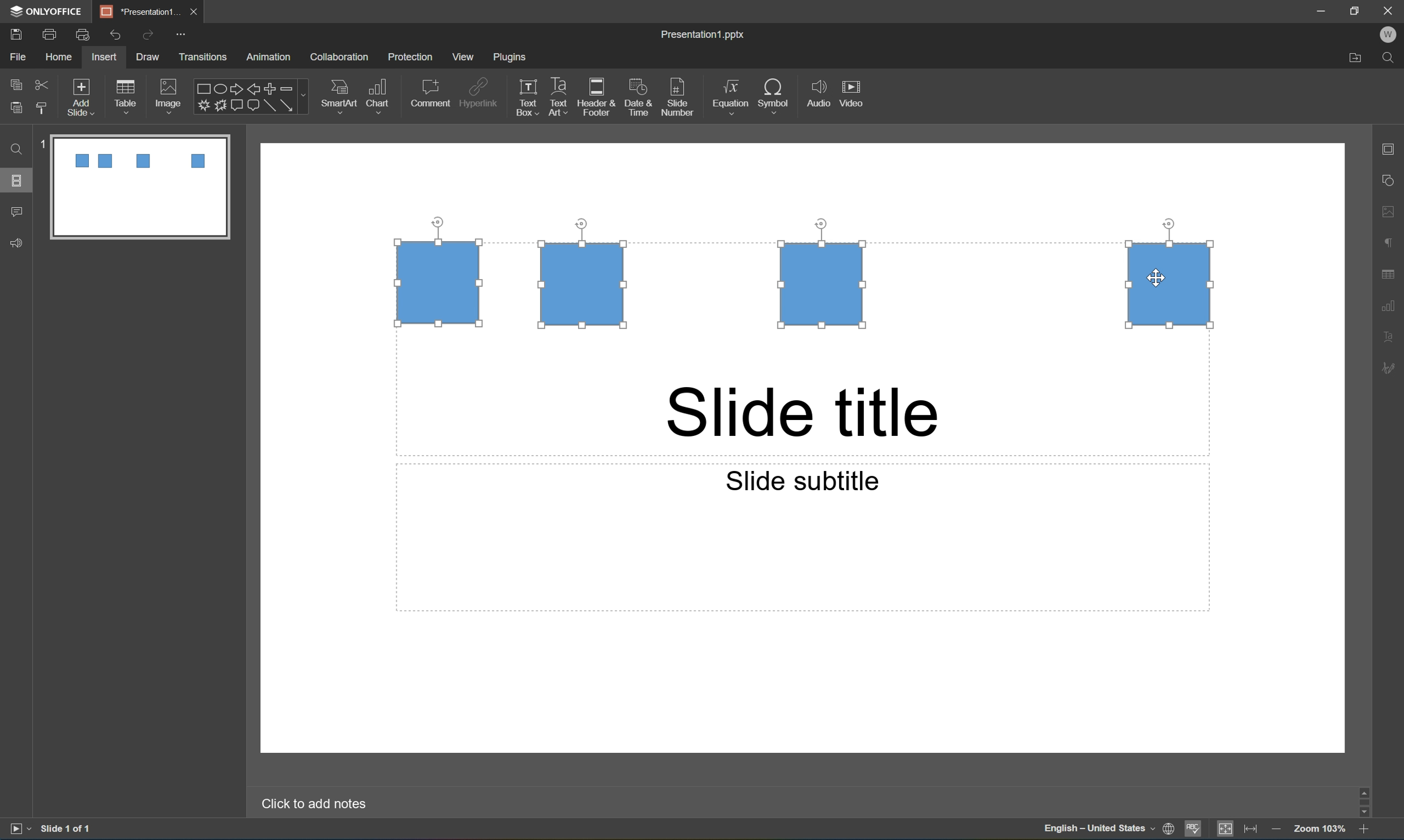 The height and width of the screenshot is (840, 1404). I want to click on plugins, so click(512, 58).